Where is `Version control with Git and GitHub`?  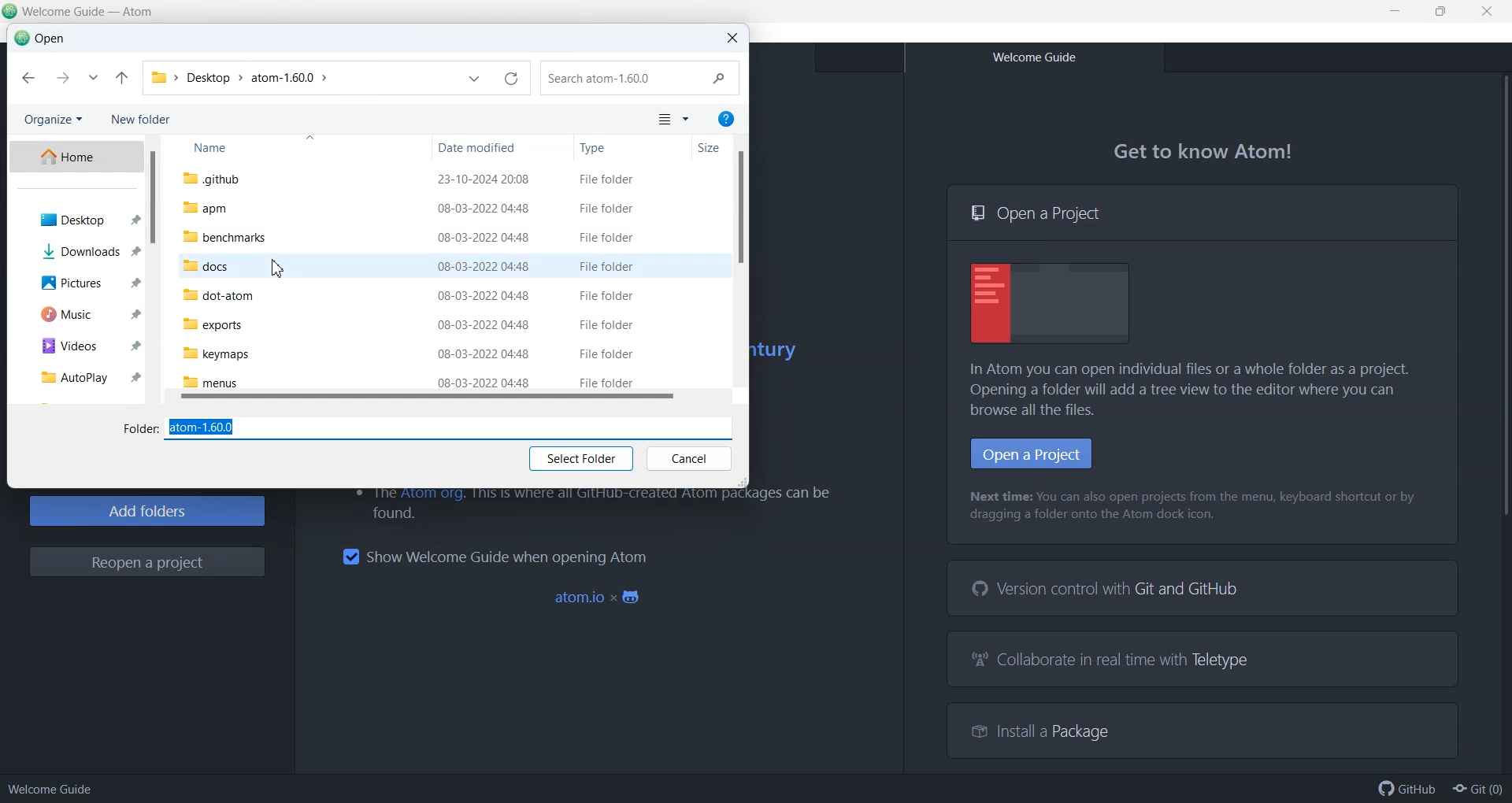
Version control with Git and GitHub is located at coordinates (1109, 589).